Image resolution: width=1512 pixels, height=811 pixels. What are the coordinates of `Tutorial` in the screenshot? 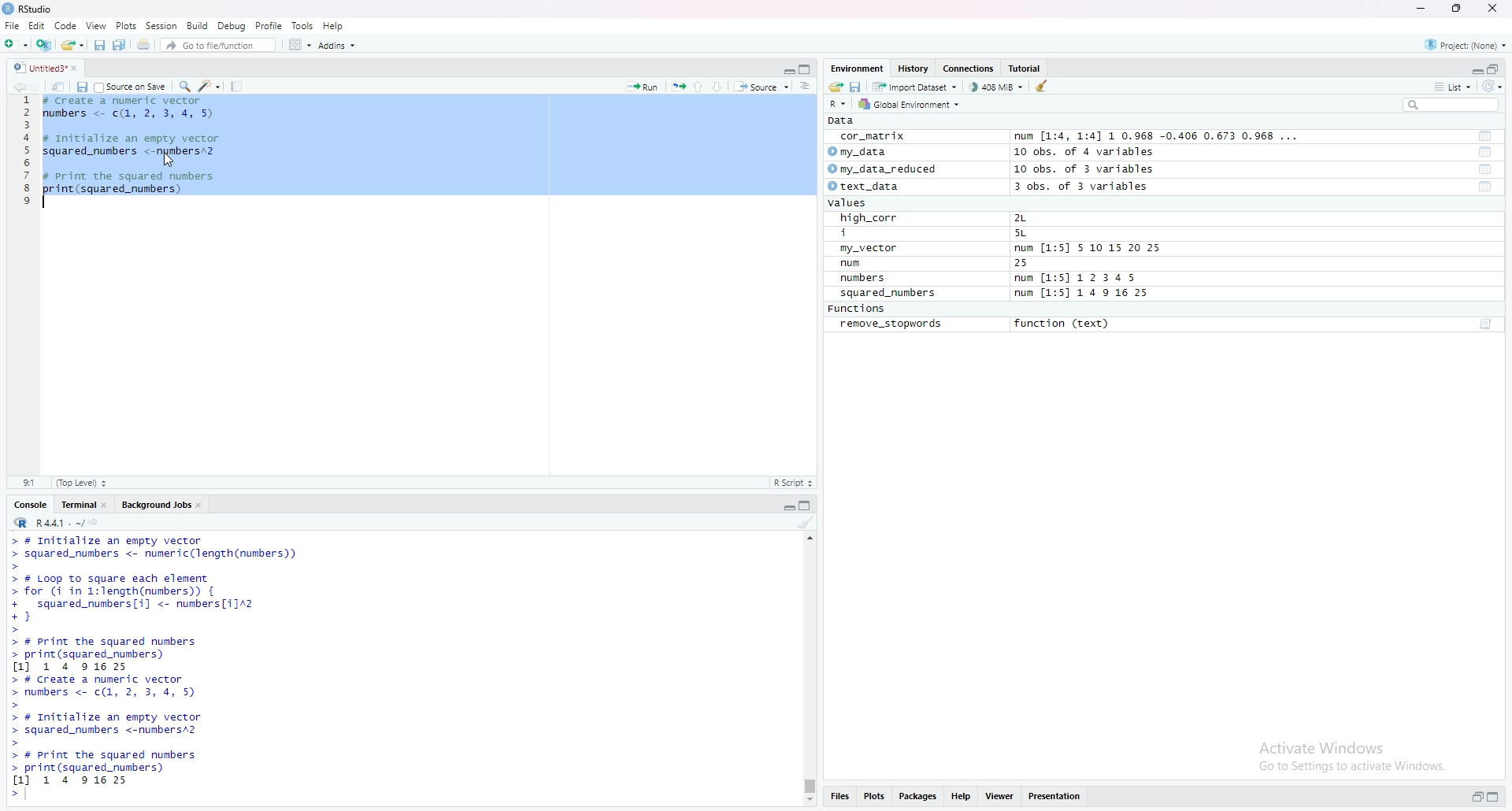 It's located at (1028, 69).